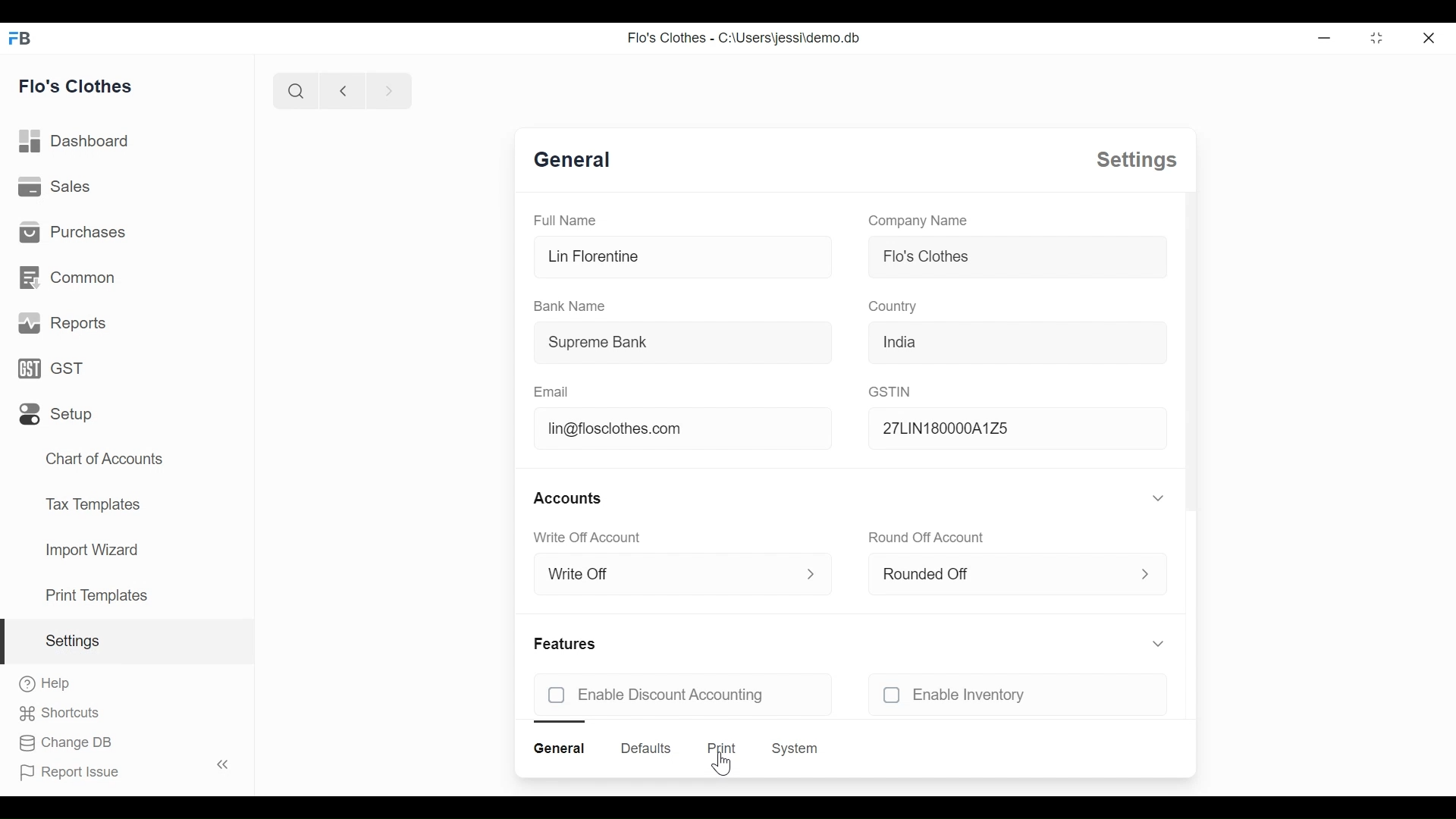 Image resolution: width=1456 pixels, height=819 pixels. I want to click on 27LIN180000A1Z5, so click(1018, 428).